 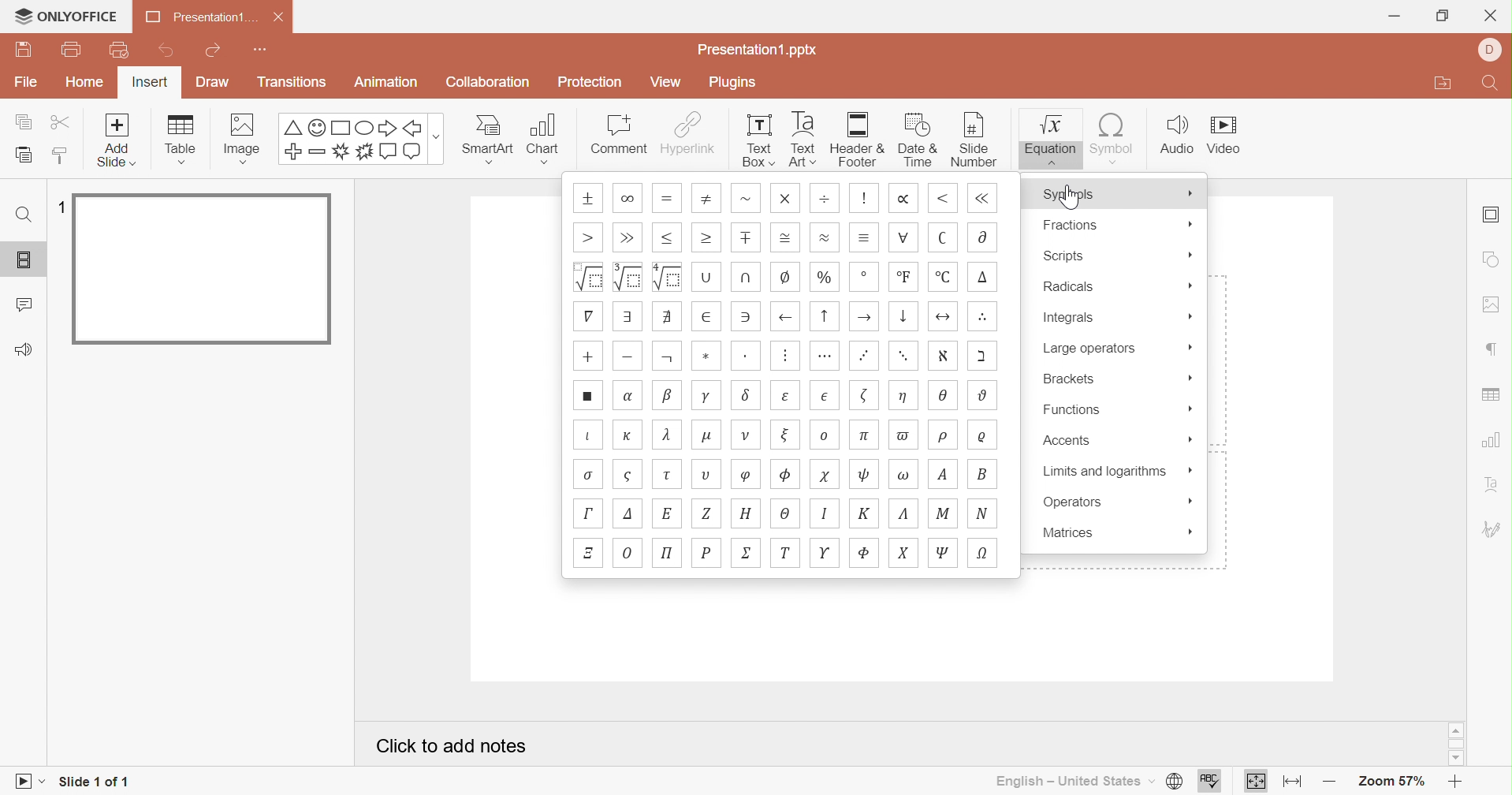 What do you see at coordinates (594, 84) in the screenshot?
I see `Protection` at bounding box center [594, 84].